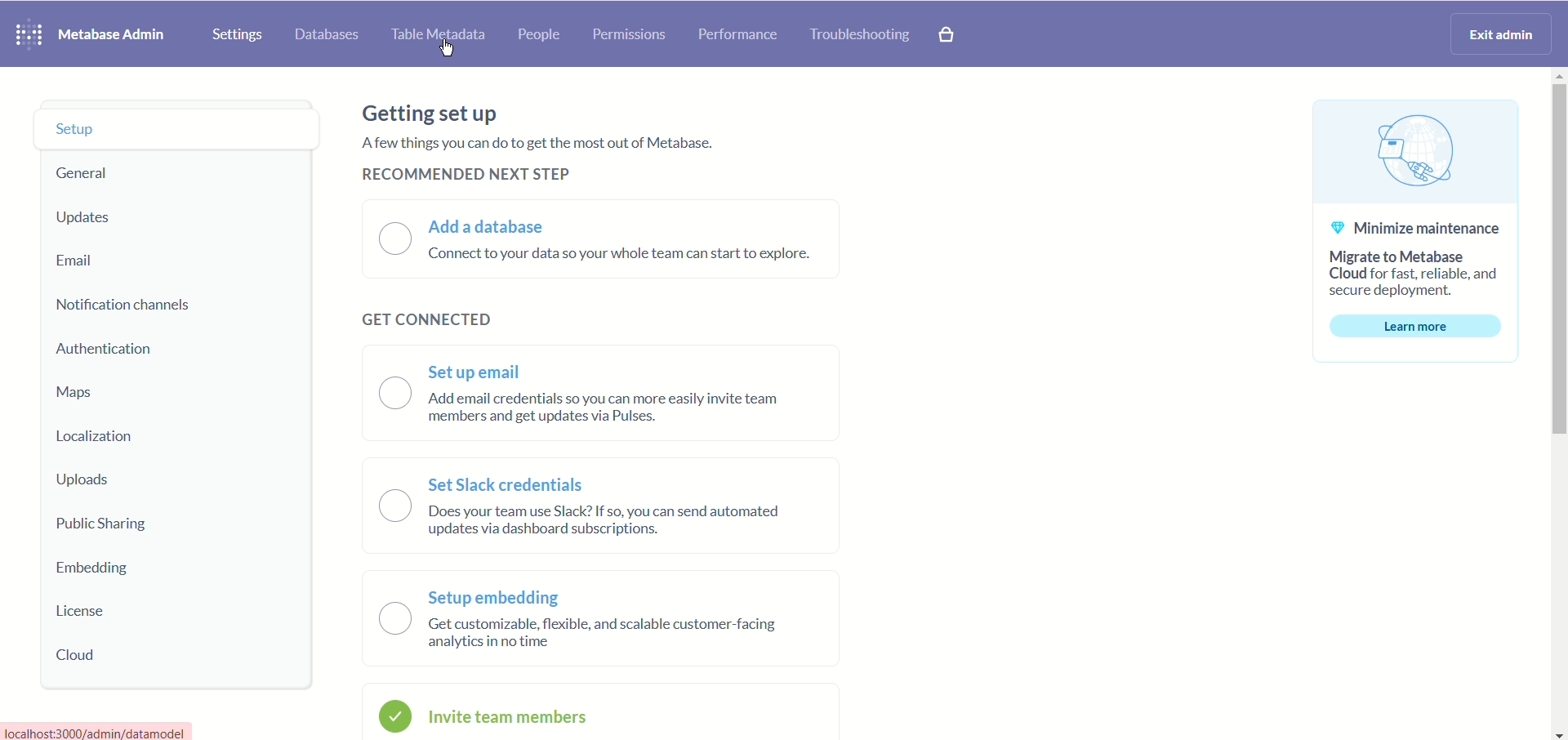 This screenshot has width=1568, height=740. Describe the element at coordinates (1553, 406) in the screenshot. I see `vertical scroll bar` at that location.